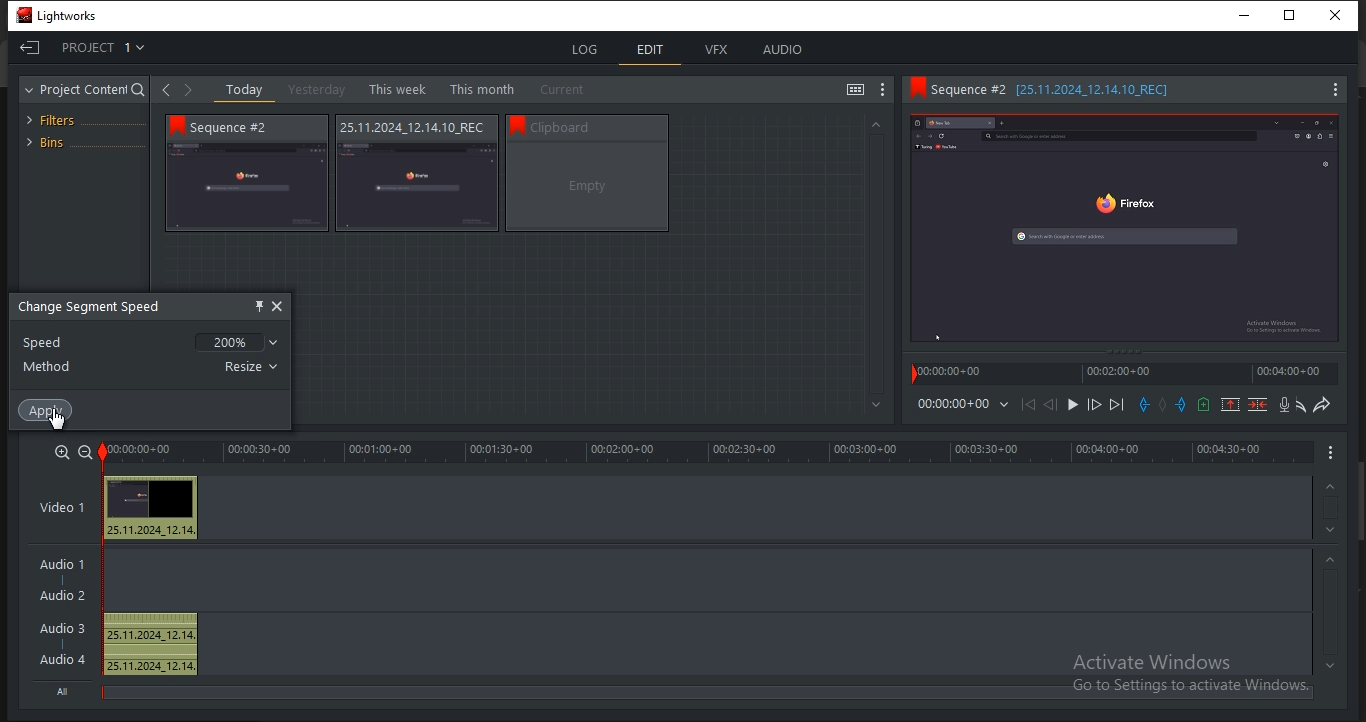 The height and width of the screenshot is (722, 1366). What do you see at coordinates (65, 506) in the screenshot?
I see `video 1` at bounding box center [65, 506].